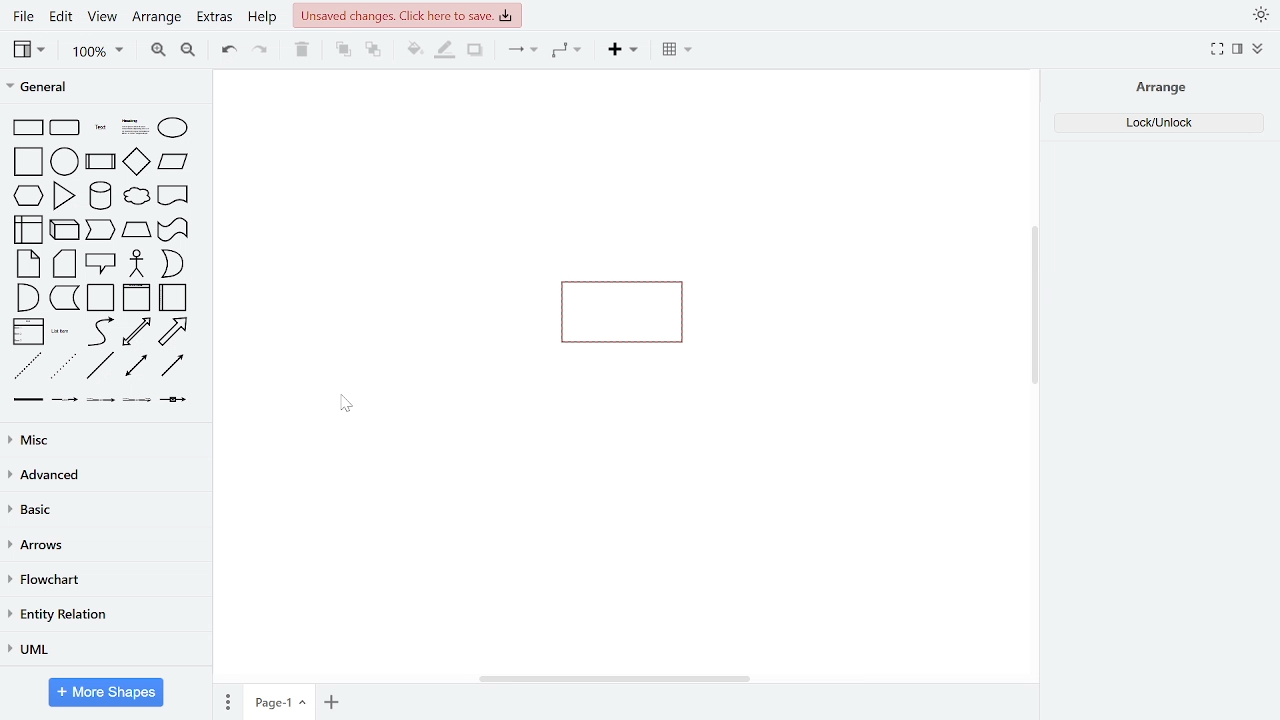 The width and height of the screenshot is (1280, 720). I want to click on bidirectional arrow, so click(136, 333).